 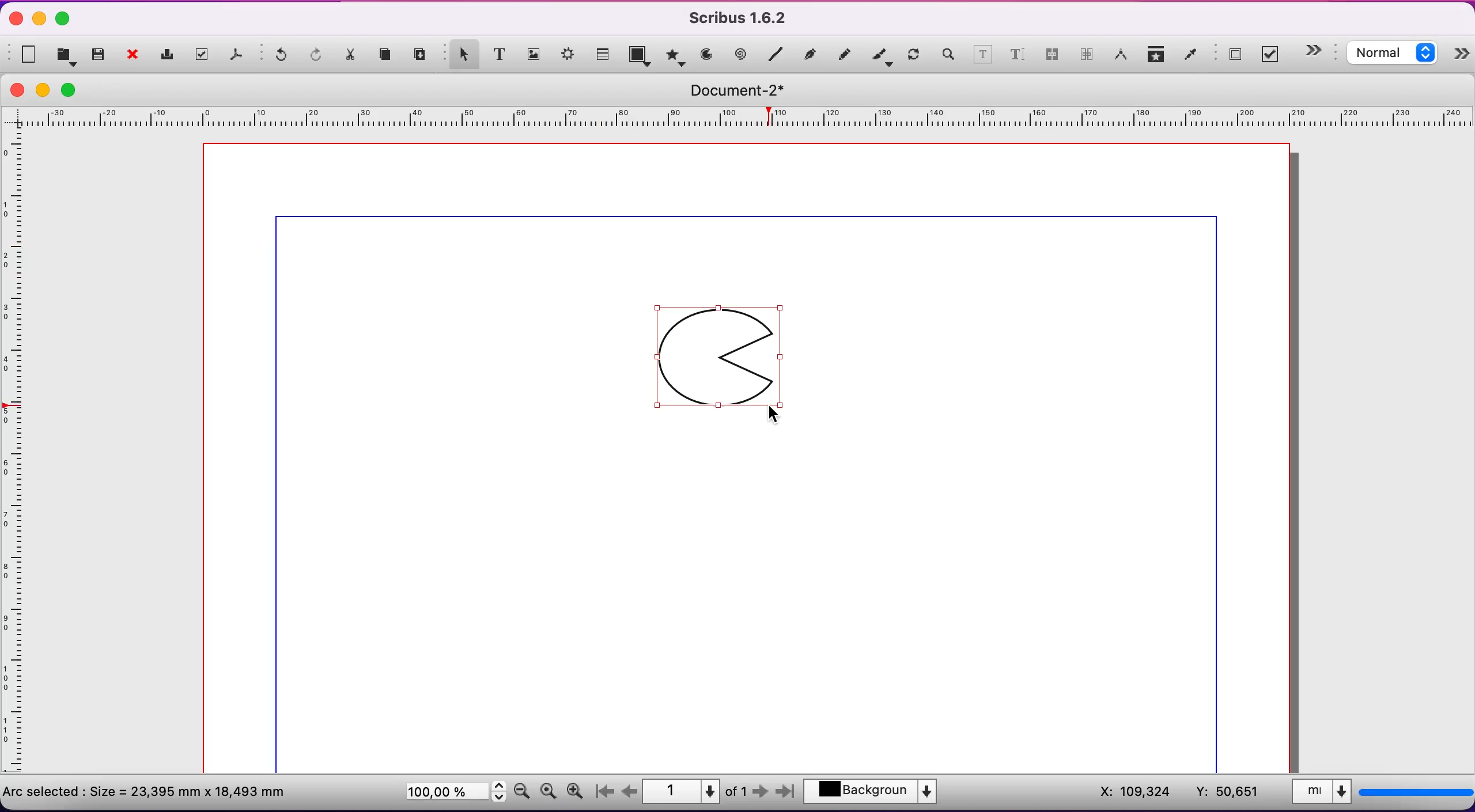 I want to click on freehand line, so click(x=845, y=54).